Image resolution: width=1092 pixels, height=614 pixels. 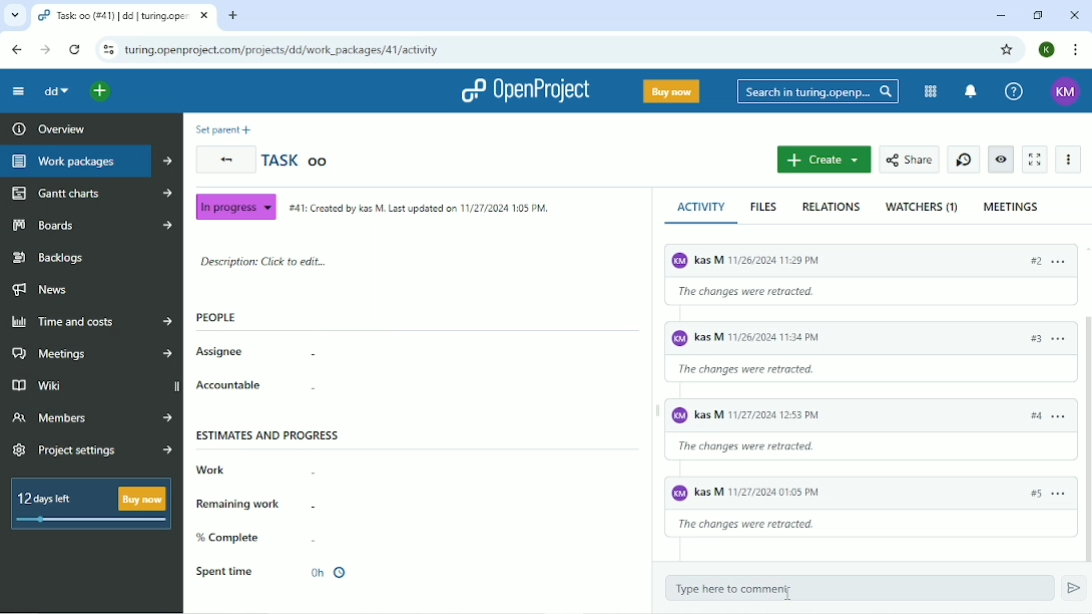 I want to click on To notification center, so click(x=970, y=92).